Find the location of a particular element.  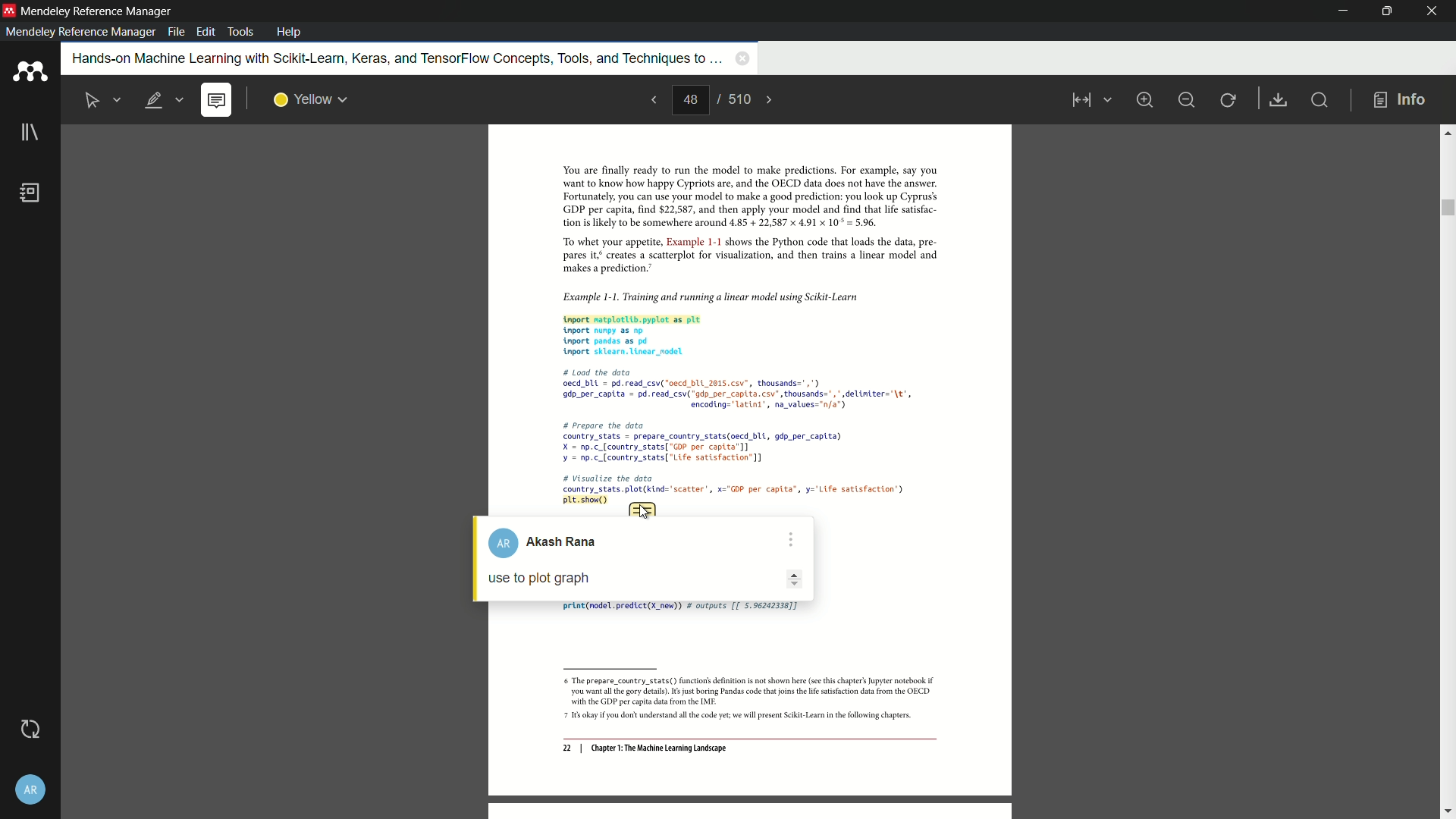

more actions is located at coordinates (789, 540).